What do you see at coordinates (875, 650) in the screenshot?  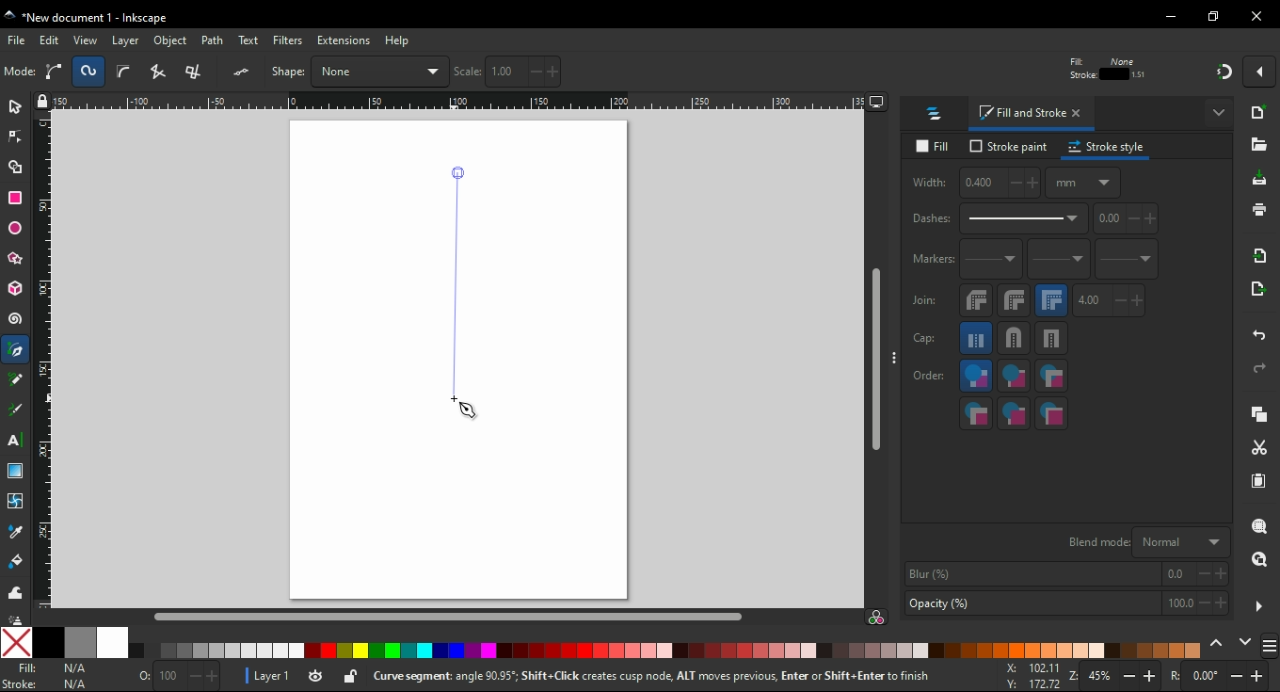 I see `color tone pallete` at bounding box center [875, 650].